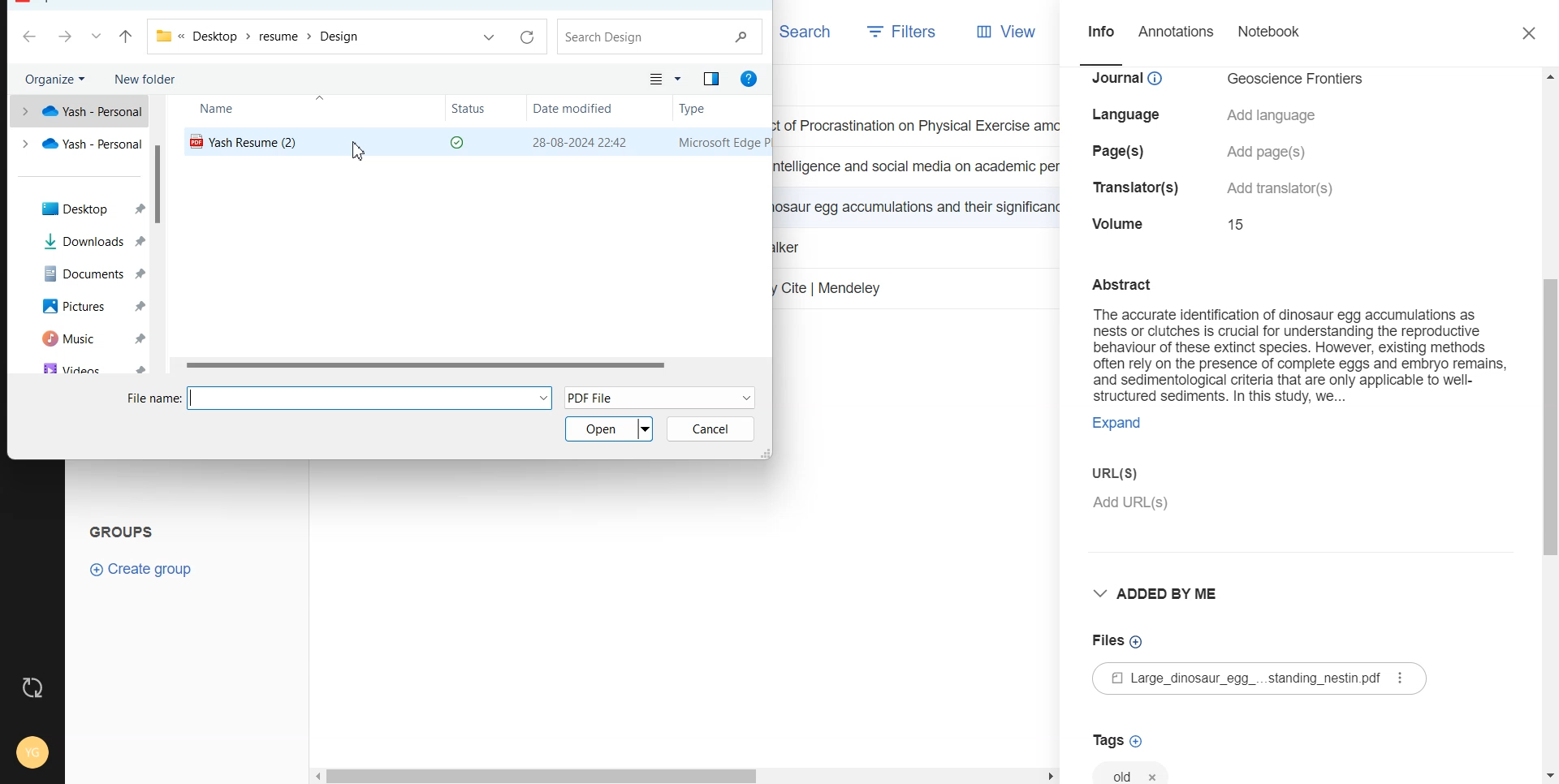  What do you see at coordinates (259, 37) in the screenshot?
I see `File path address` at bounding box center [259, 37].